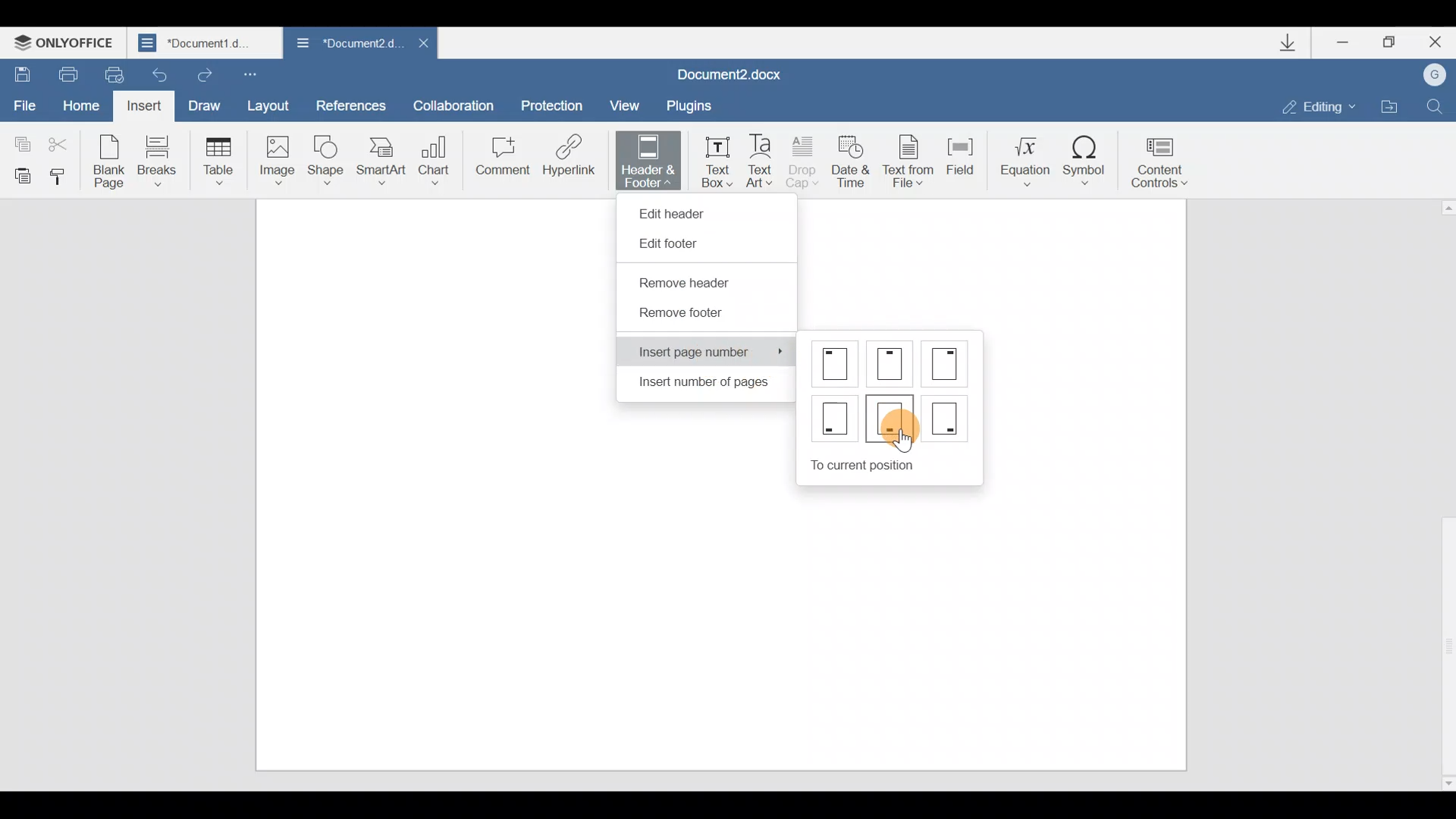 The height and width of the screenshot is (819, 1456). What do you see at coordinates (677, 244) in the screenshot?
I see `Edit footer` at bounding box center [677, 244].